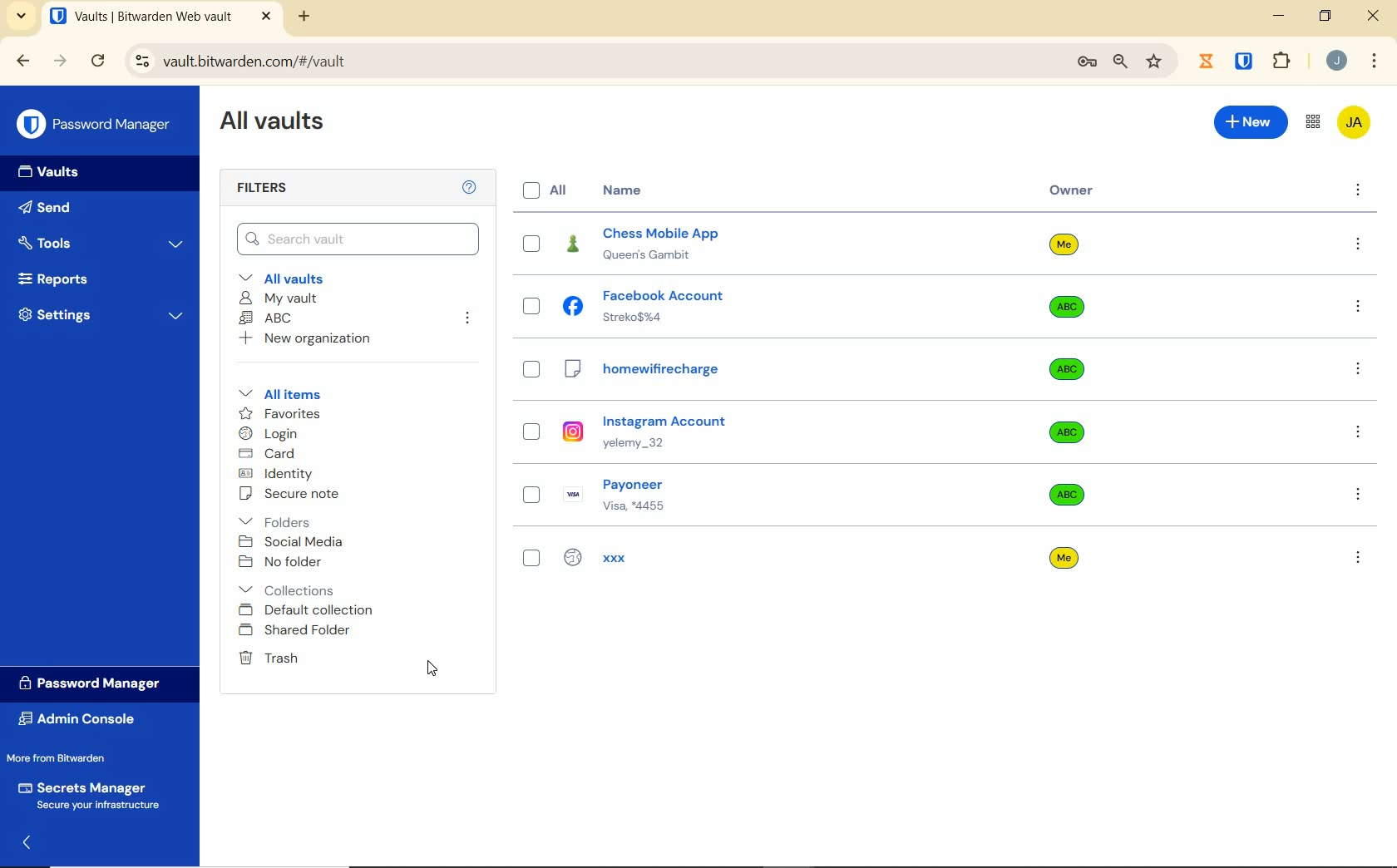 Image resolution: width=1397 pixels, height=868 pixels. Describe the element at coordinates (1360, 308) in the screenshot. I see `more options` at that location.